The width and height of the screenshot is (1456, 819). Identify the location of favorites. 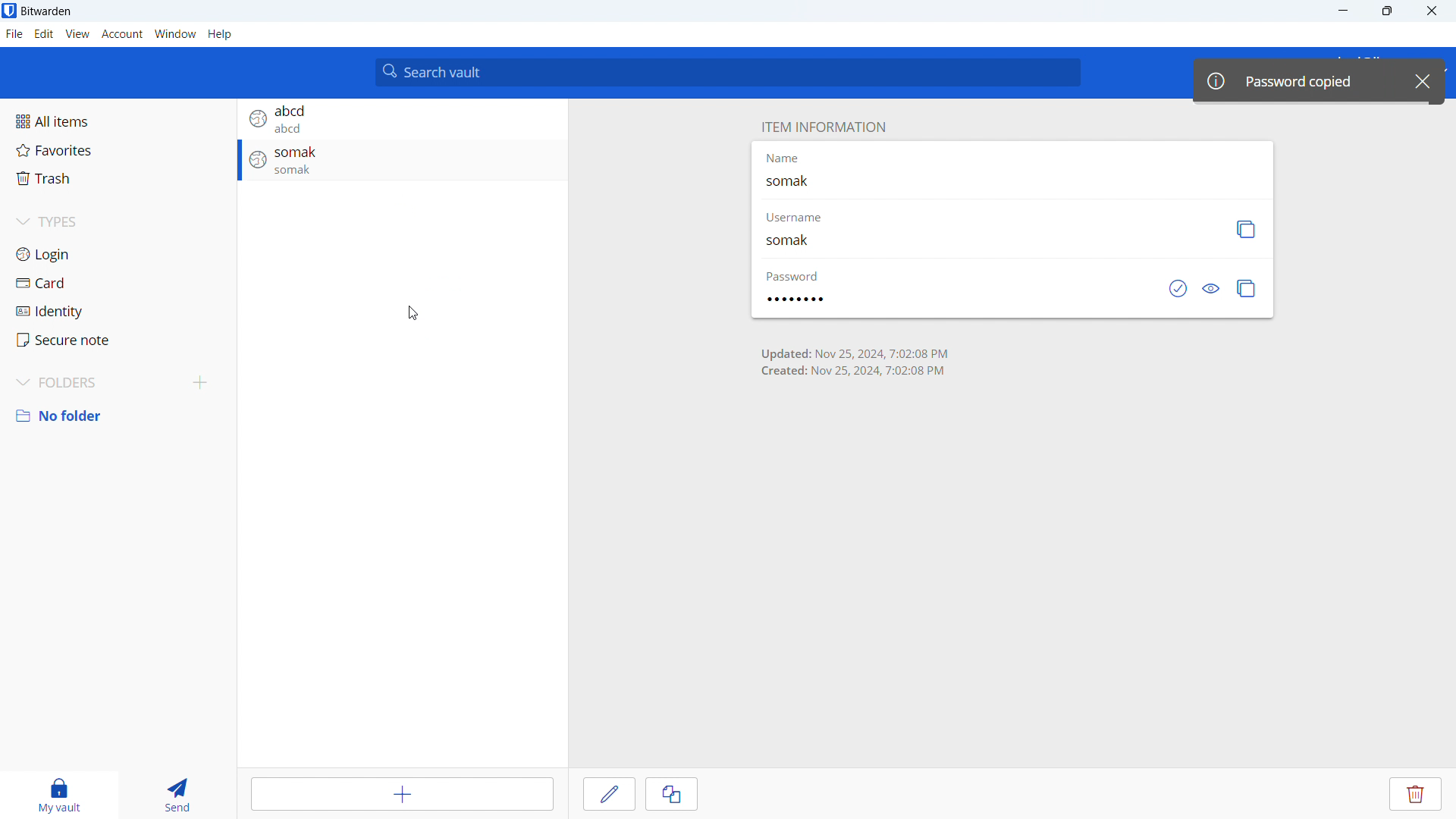
(118, 149).